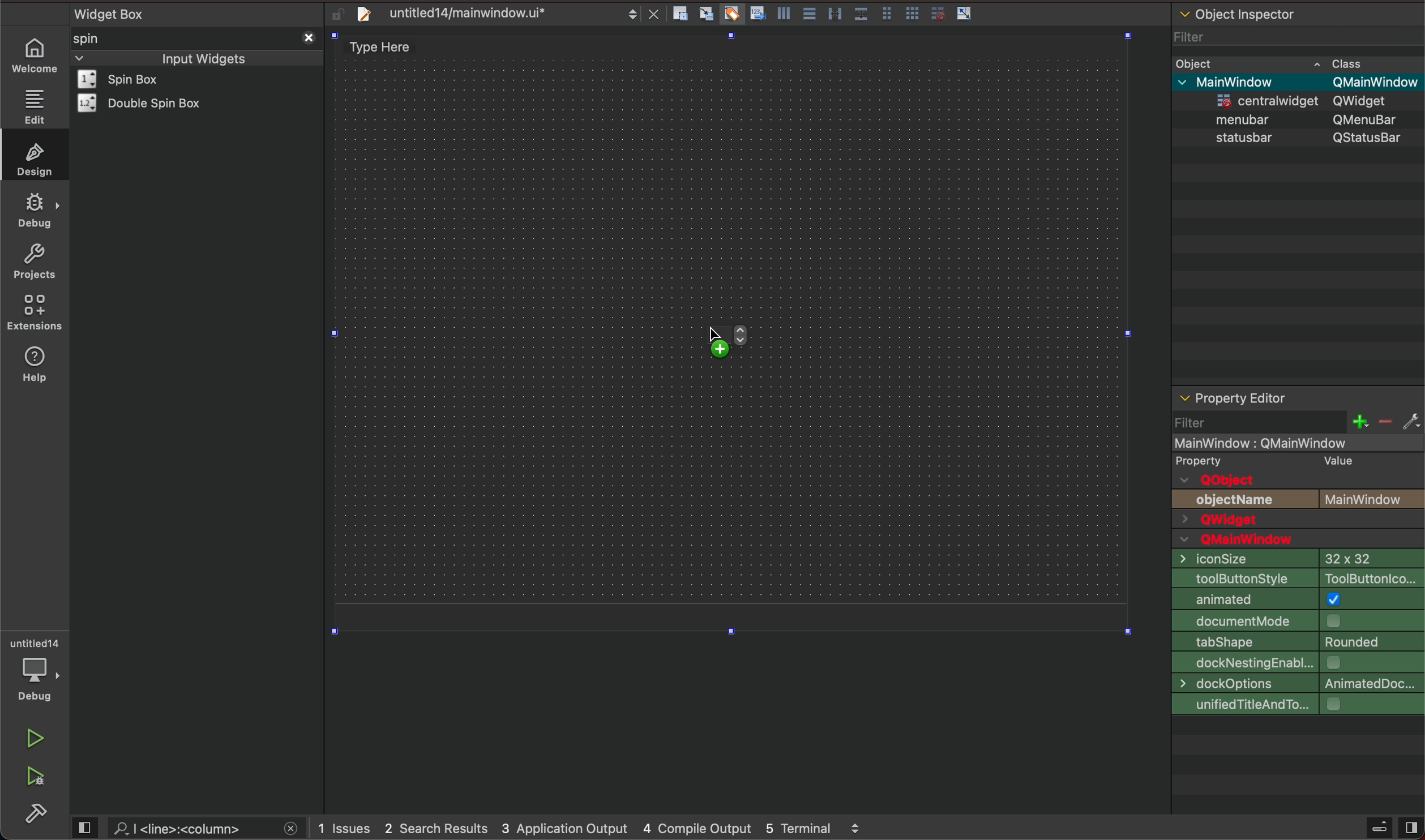 The image size is (1425, 840). I want to click on design area, so click(387, 47).